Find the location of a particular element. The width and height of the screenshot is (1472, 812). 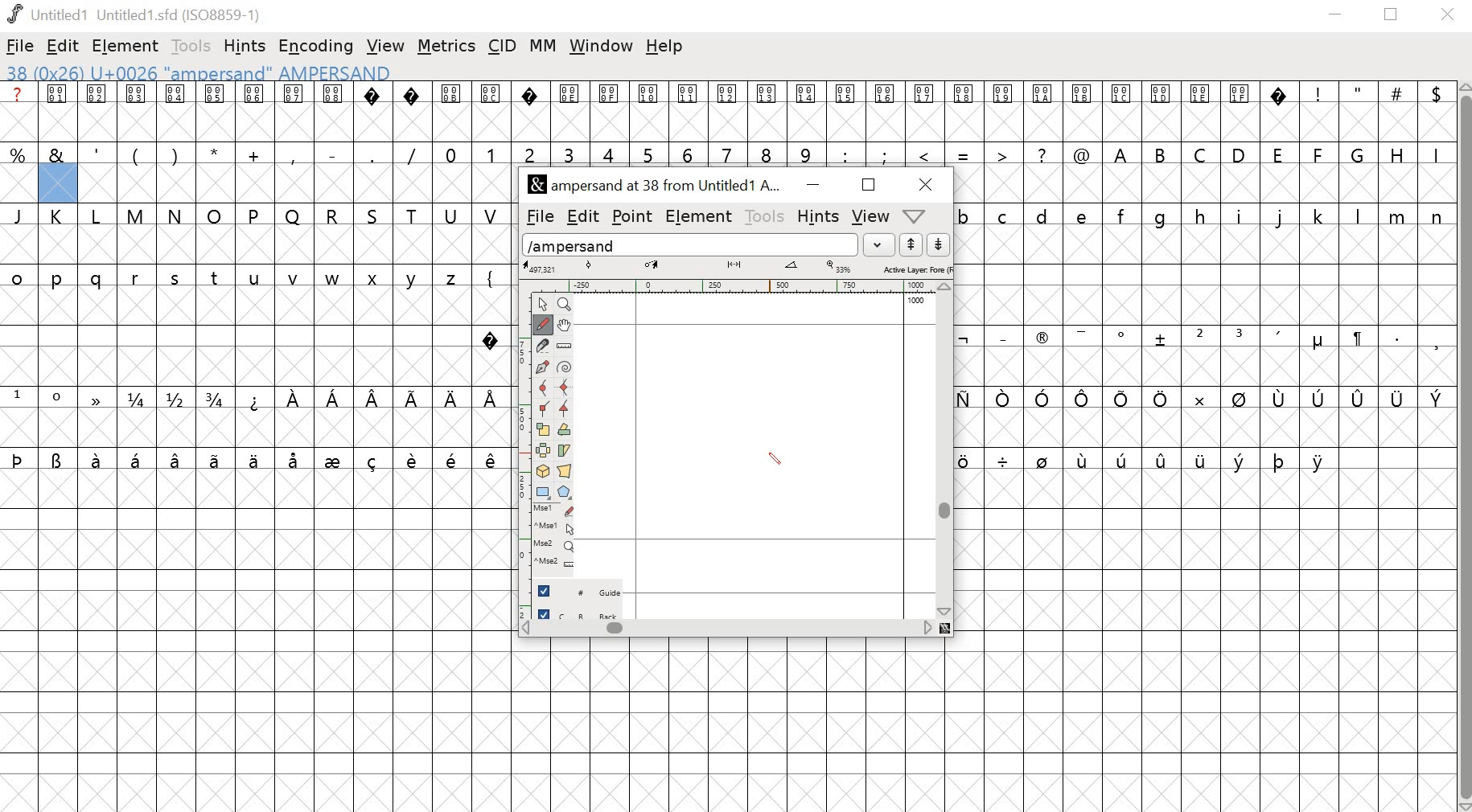

toggle spiral is located at coordinates (565, 367).